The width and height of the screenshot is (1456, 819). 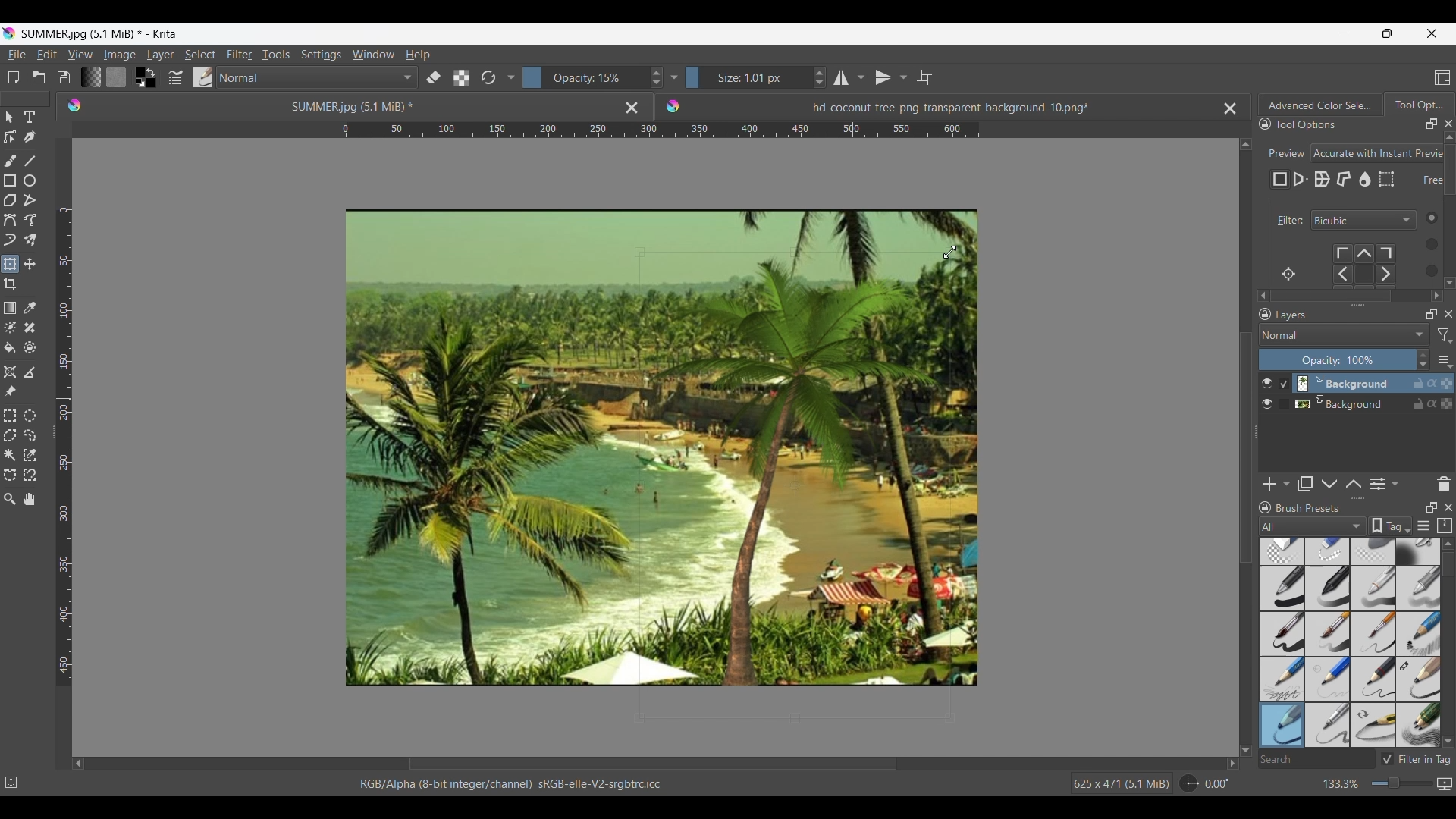 What do you see at coordinates (488, 77) in the screenshot?
I see `Reload original preset` at bounding box center [488, 77].